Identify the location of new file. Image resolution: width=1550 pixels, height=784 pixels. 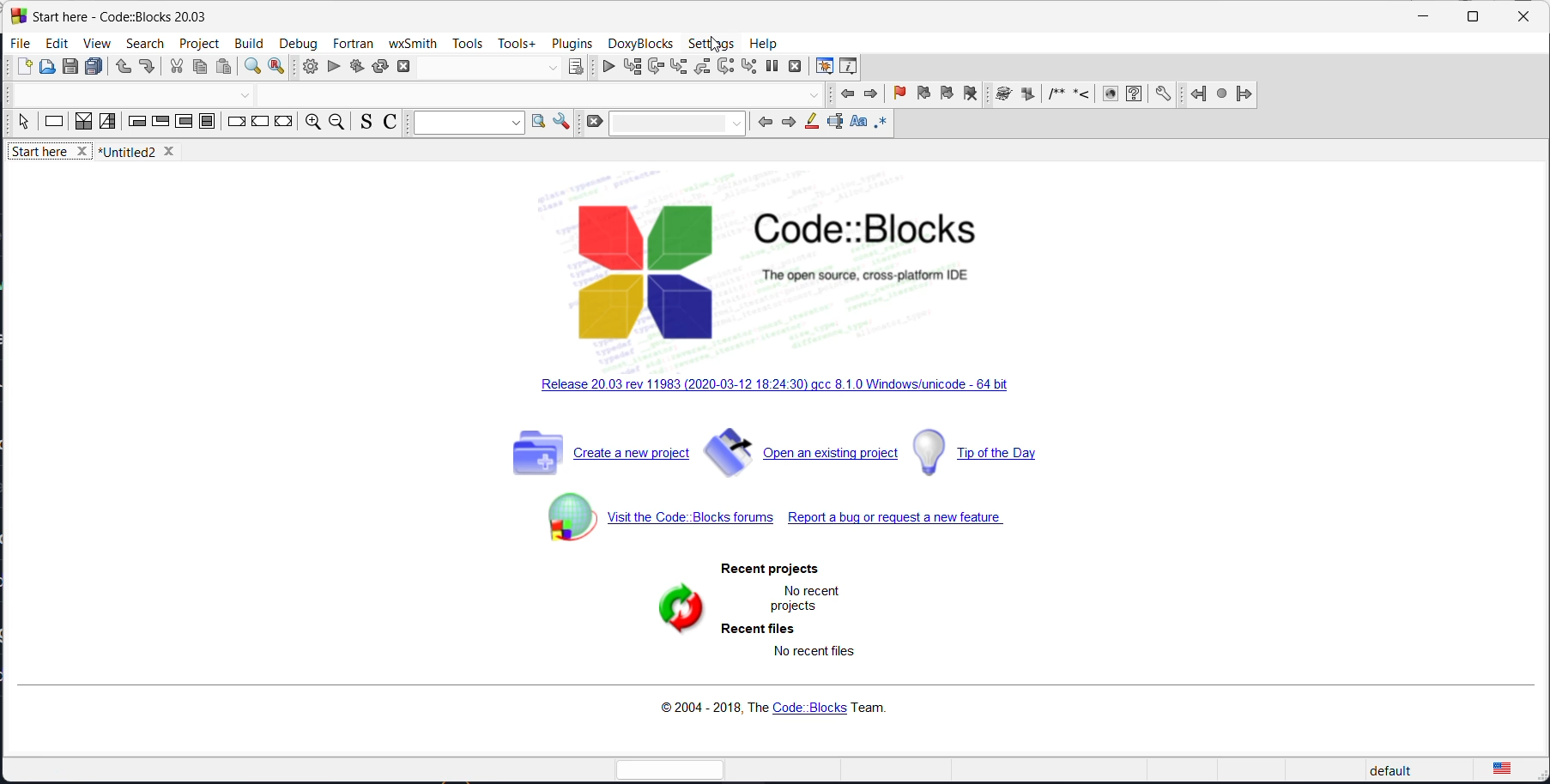
(25, 70).